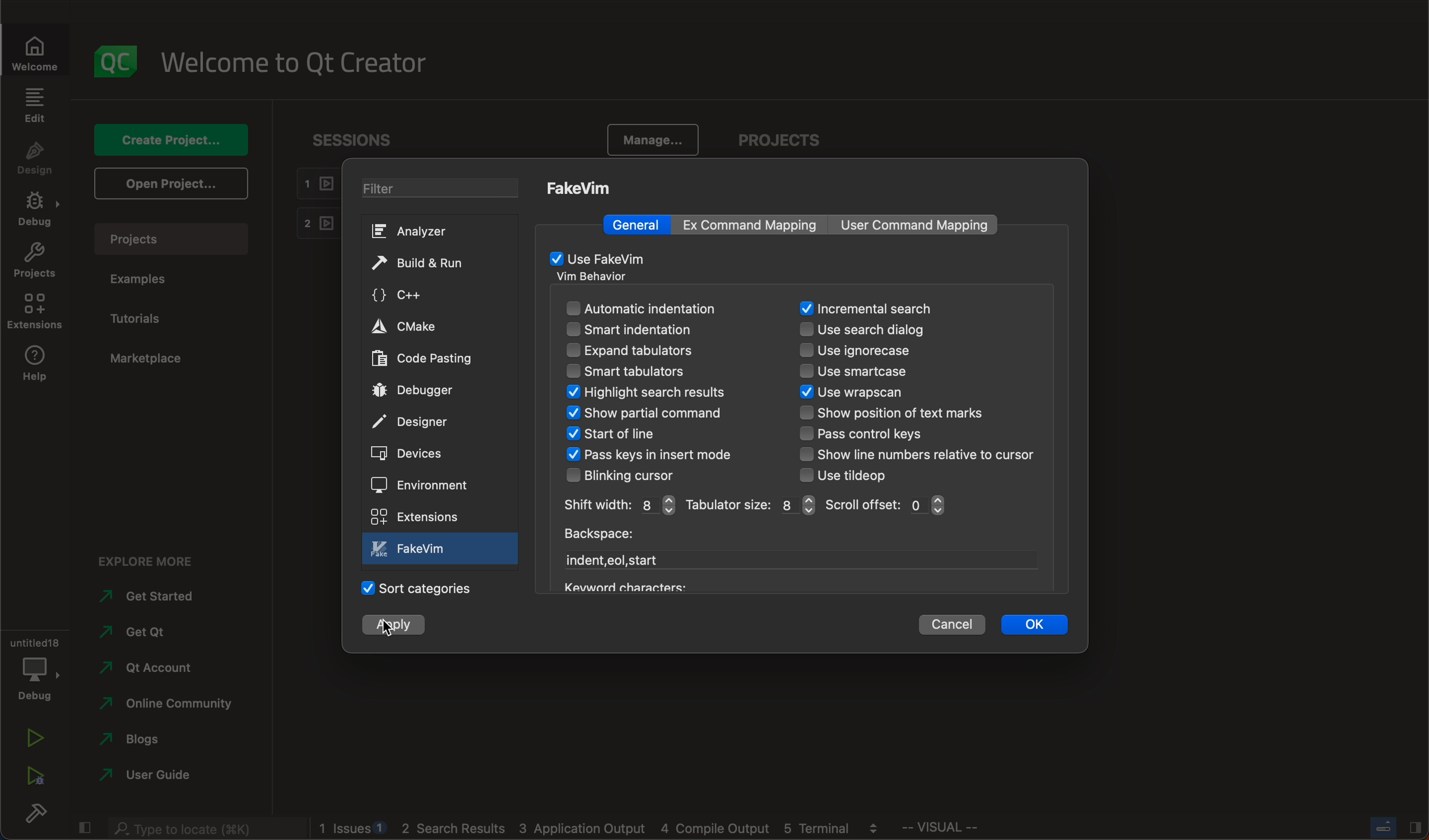 The height and width of the screenshot is (840, 1429). I want to click on build and run, so click(426, 264).